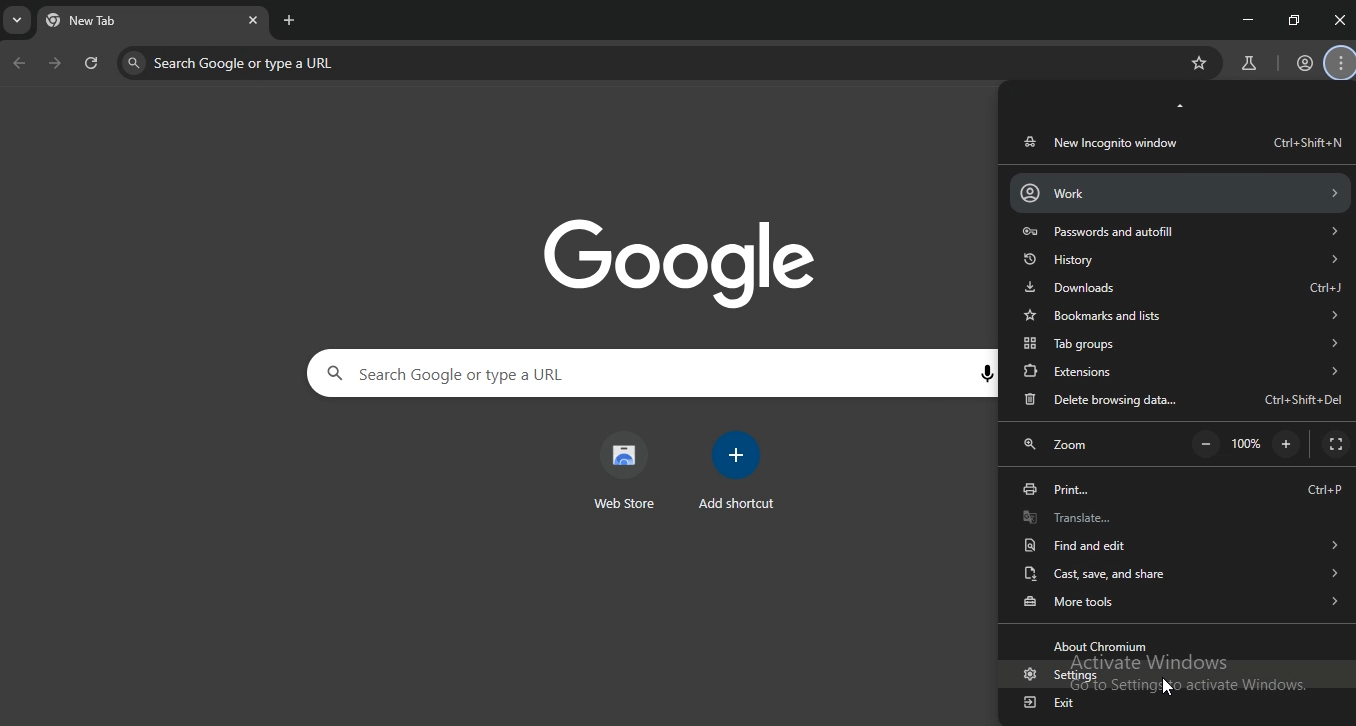  Describe the element at coordinates (1179, 231) in the screenshot. I see `passwords and autofill` at that location.